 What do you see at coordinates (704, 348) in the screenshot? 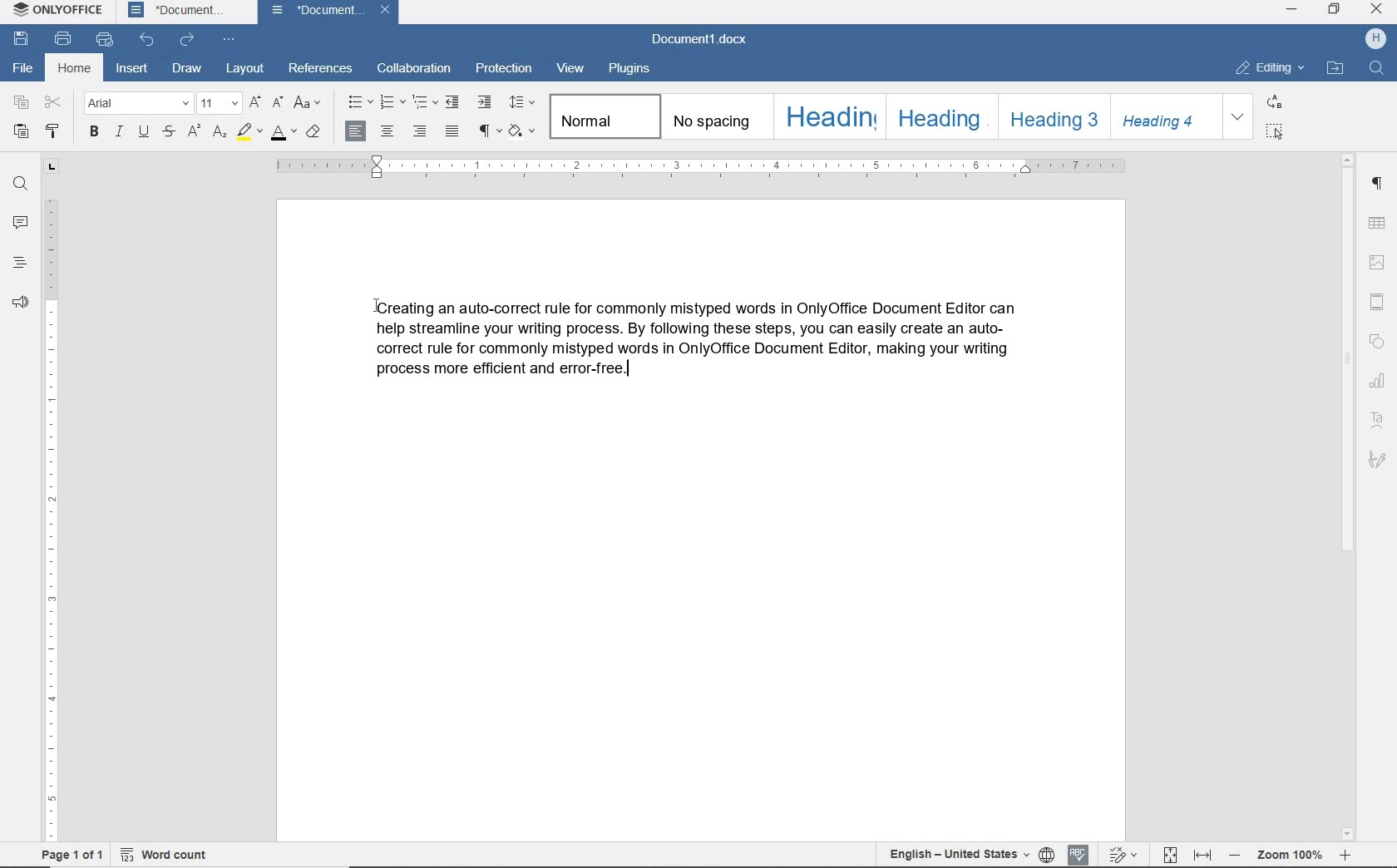
I see `text` at bounding box center [704, 348].